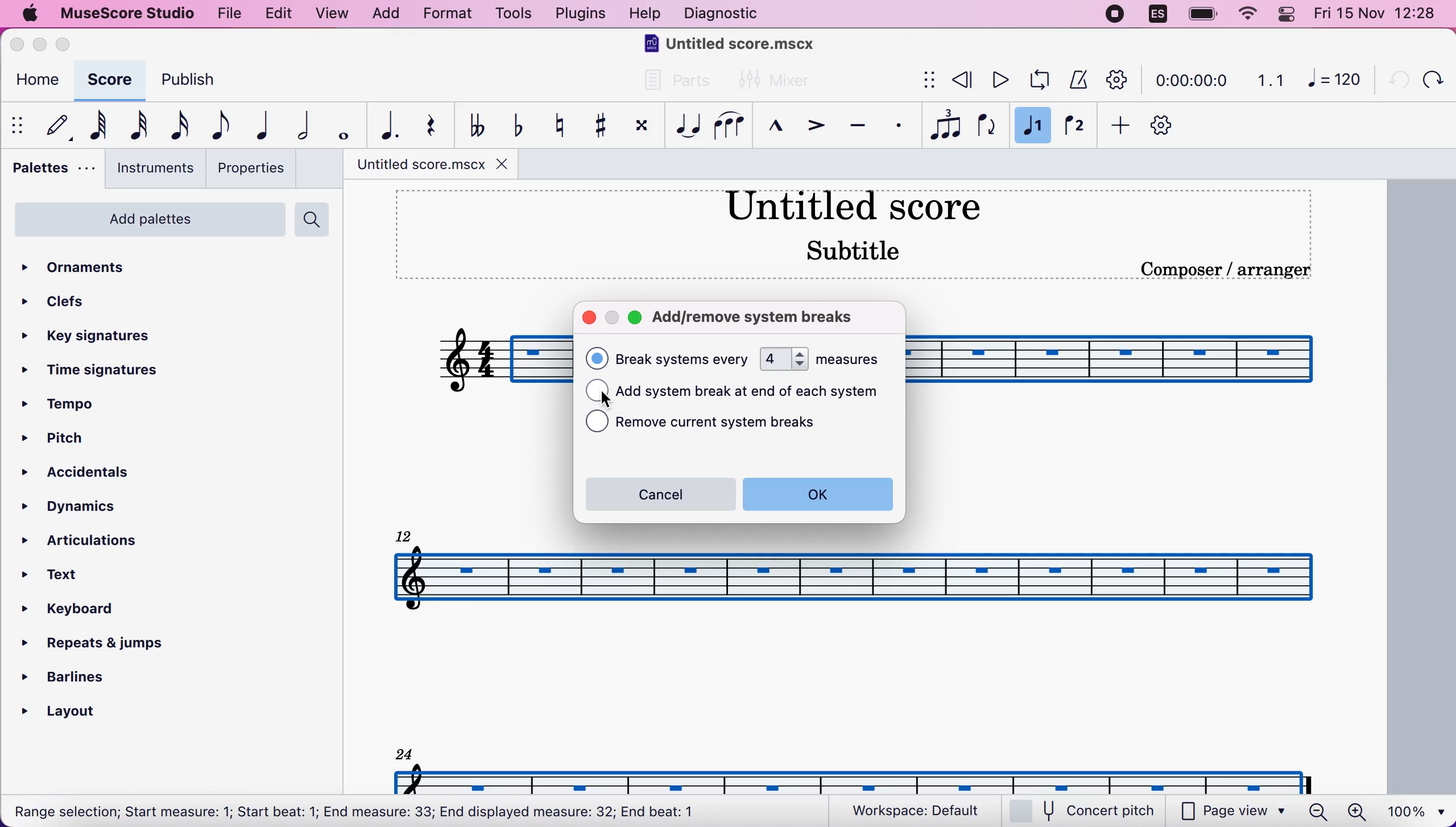 Image resolution: width=1456 pixels, height=827 pixels. Describe the element at coordinates (420, 164) in the screenshot. I see `tab` at that location.